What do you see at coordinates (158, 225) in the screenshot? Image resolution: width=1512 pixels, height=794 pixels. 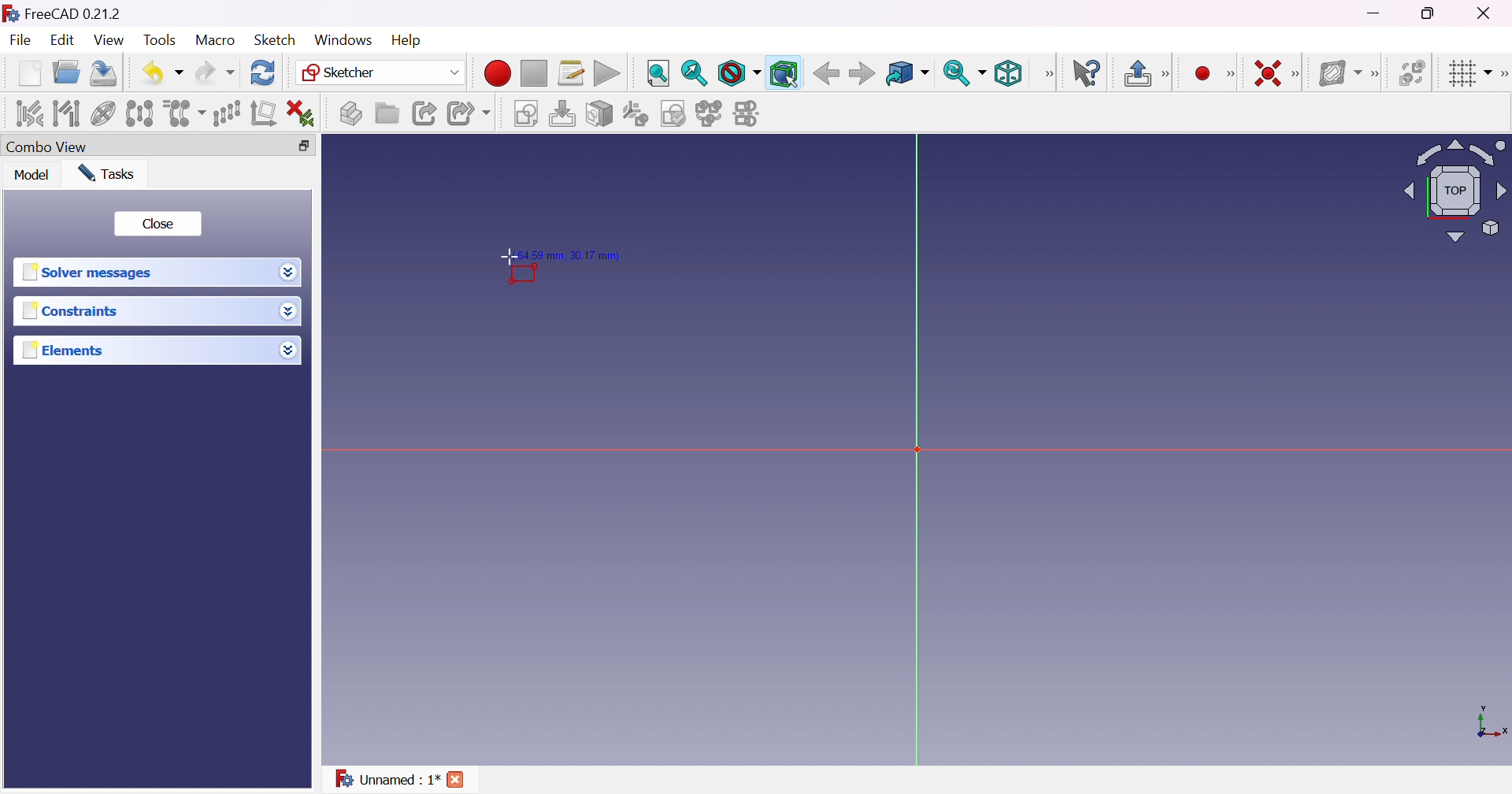 I see `Close` at bounding box center [158, 225].